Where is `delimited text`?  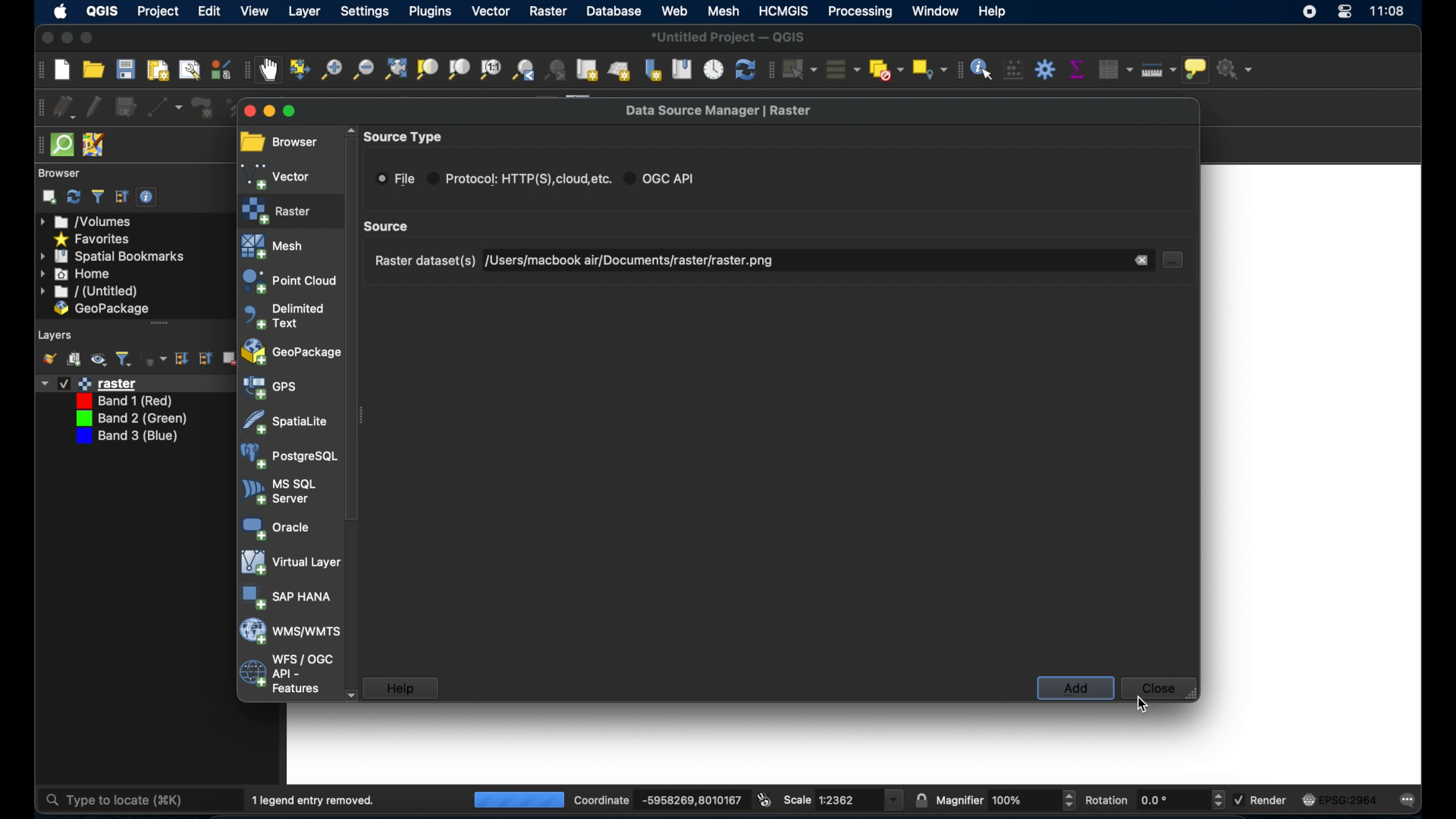
delimited text is located at coordinates (284, 317).